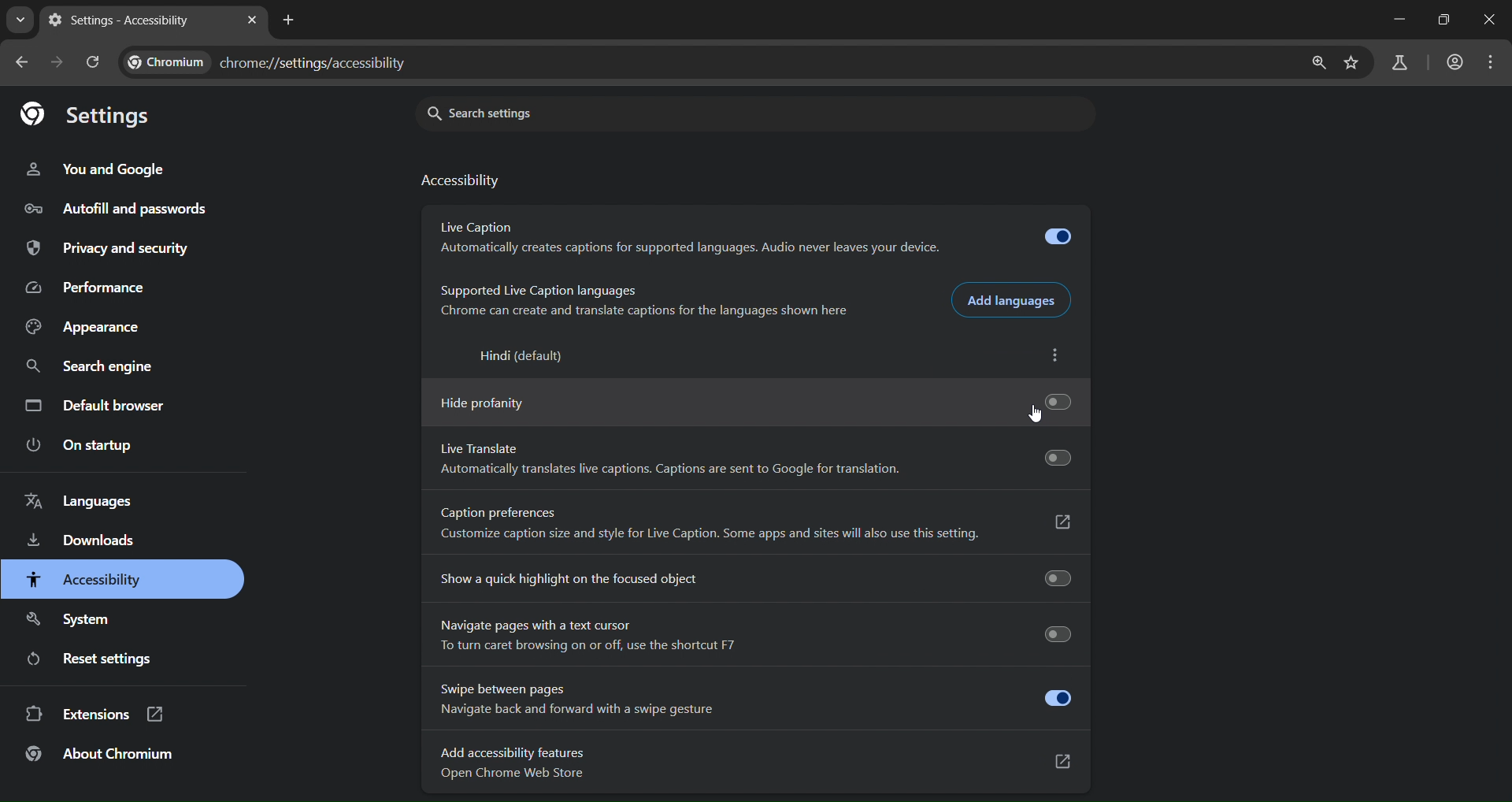 This screenshot has height=802, width=1512. I want to click on system, so click(74, 618).